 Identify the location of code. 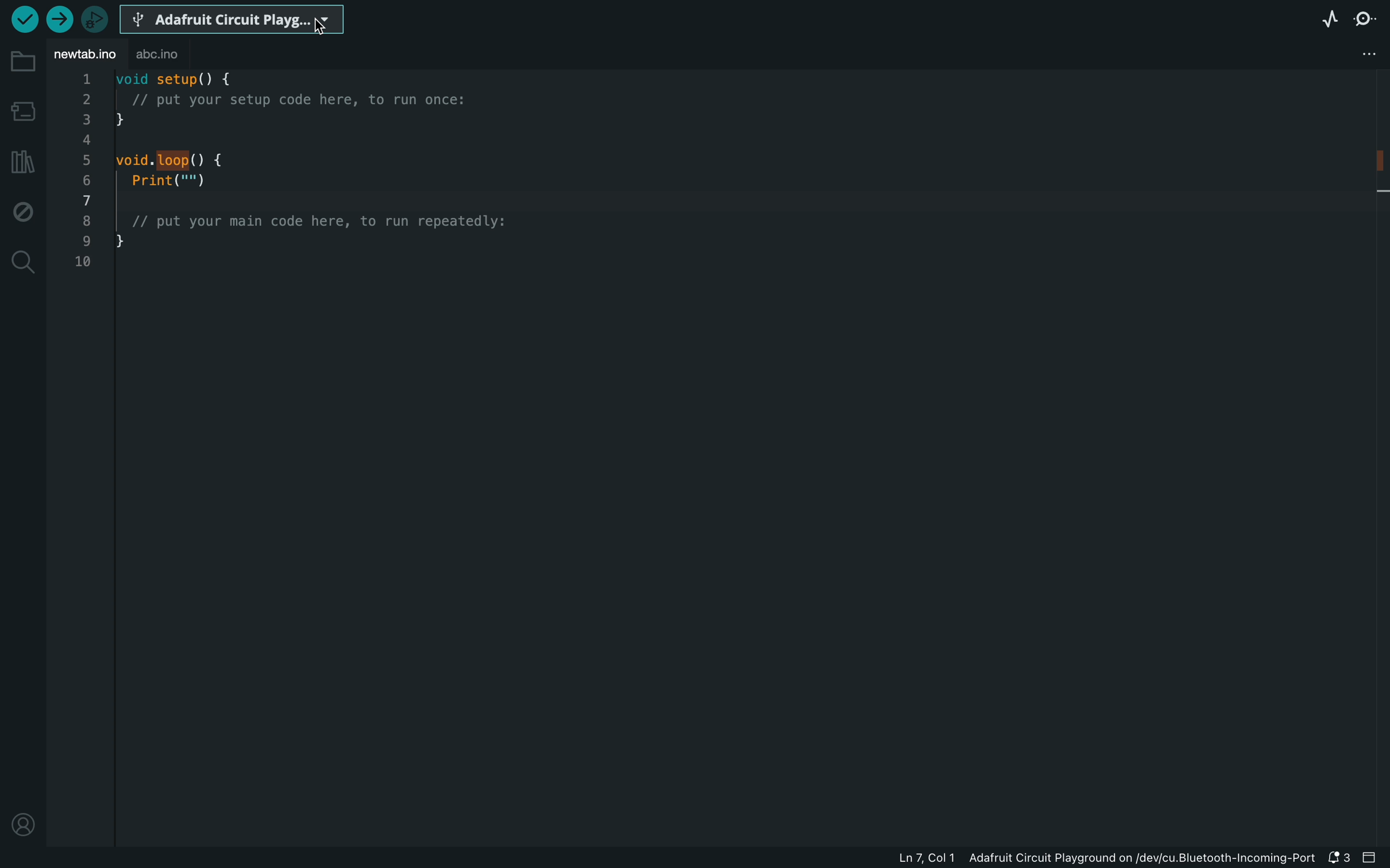
(310, 177).